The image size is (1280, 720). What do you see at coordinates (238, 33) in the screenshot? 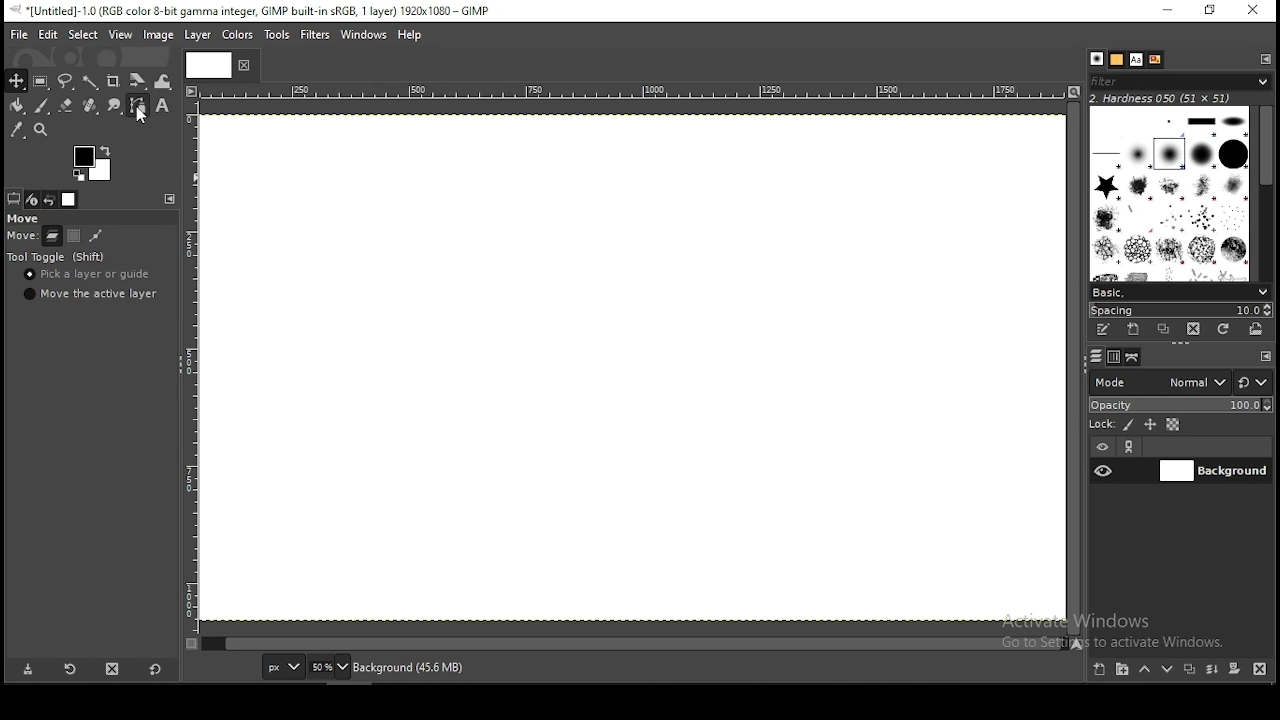
I see `colors` at bounding box center [238, 33].